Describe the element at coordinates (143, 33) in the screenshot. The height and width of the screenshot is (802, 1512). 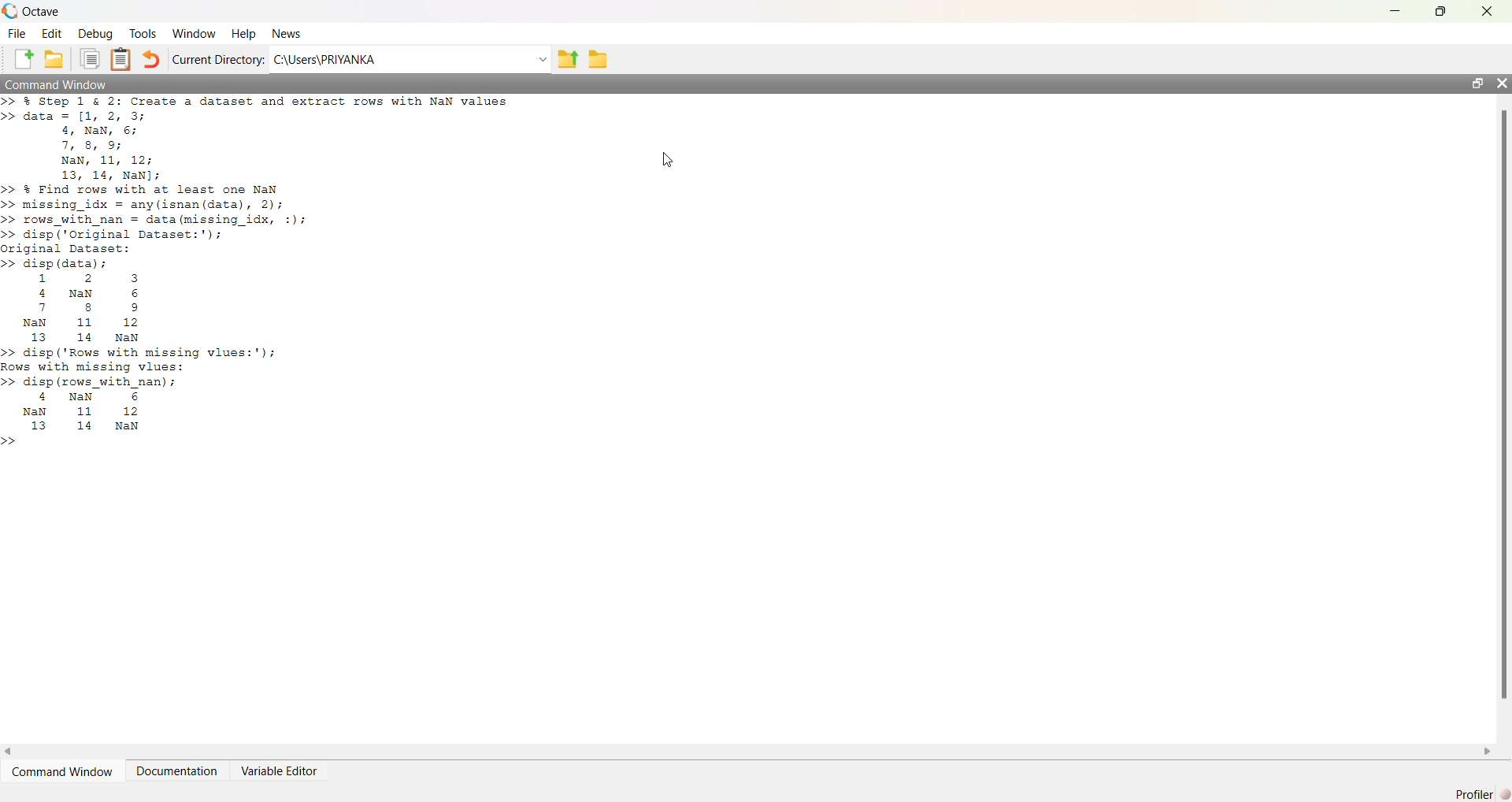
I see `Tools` at that location.